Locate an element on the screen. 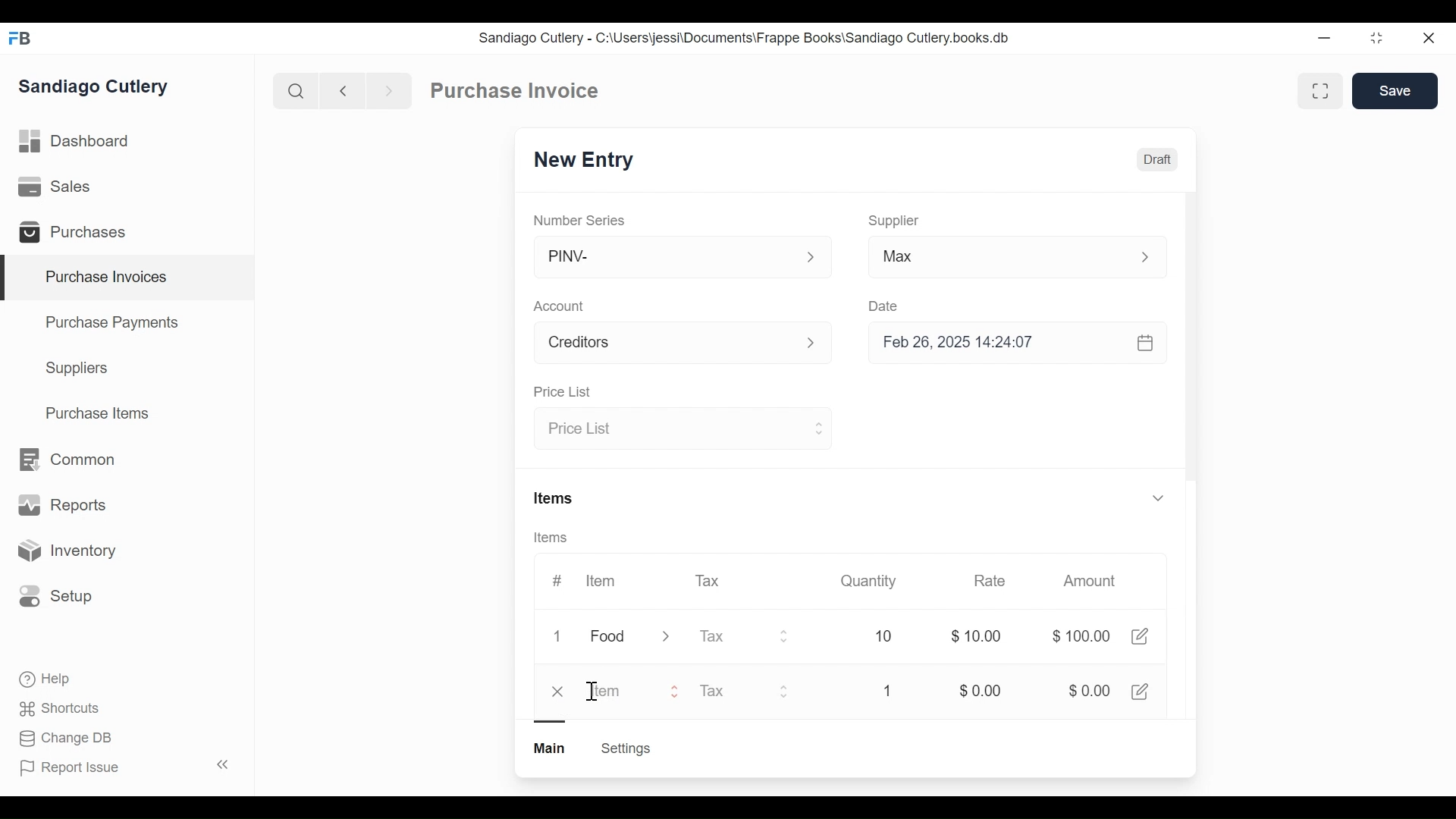 The image size is (1456, 819). Sandiago Cutlery is located at coordinates (96, 88).